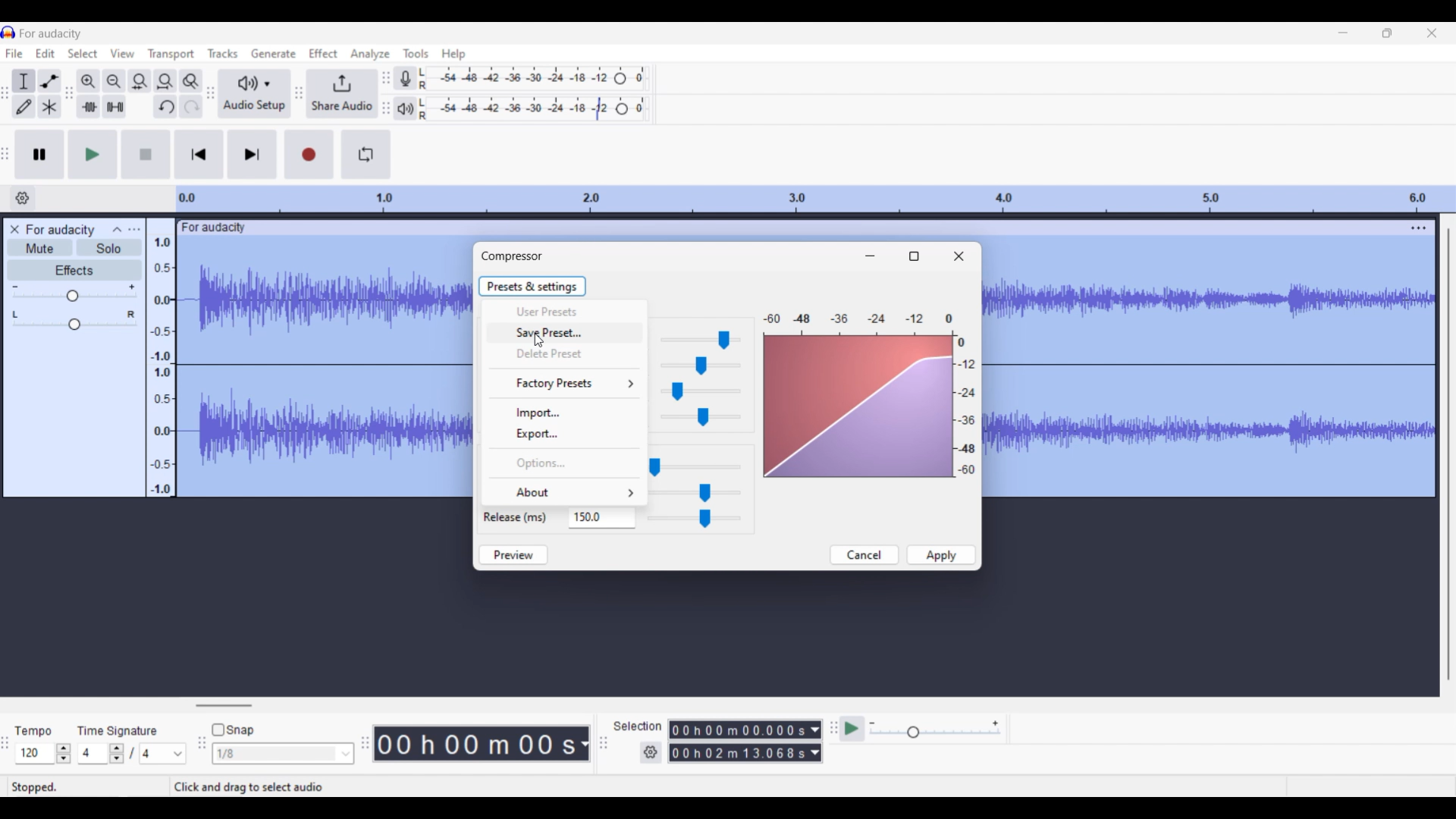 The width and height of the screenshot is (1456, 819). Describe the element at coordinates (140, 81) in the screenshot. I see `Fit selection to width` at that location.